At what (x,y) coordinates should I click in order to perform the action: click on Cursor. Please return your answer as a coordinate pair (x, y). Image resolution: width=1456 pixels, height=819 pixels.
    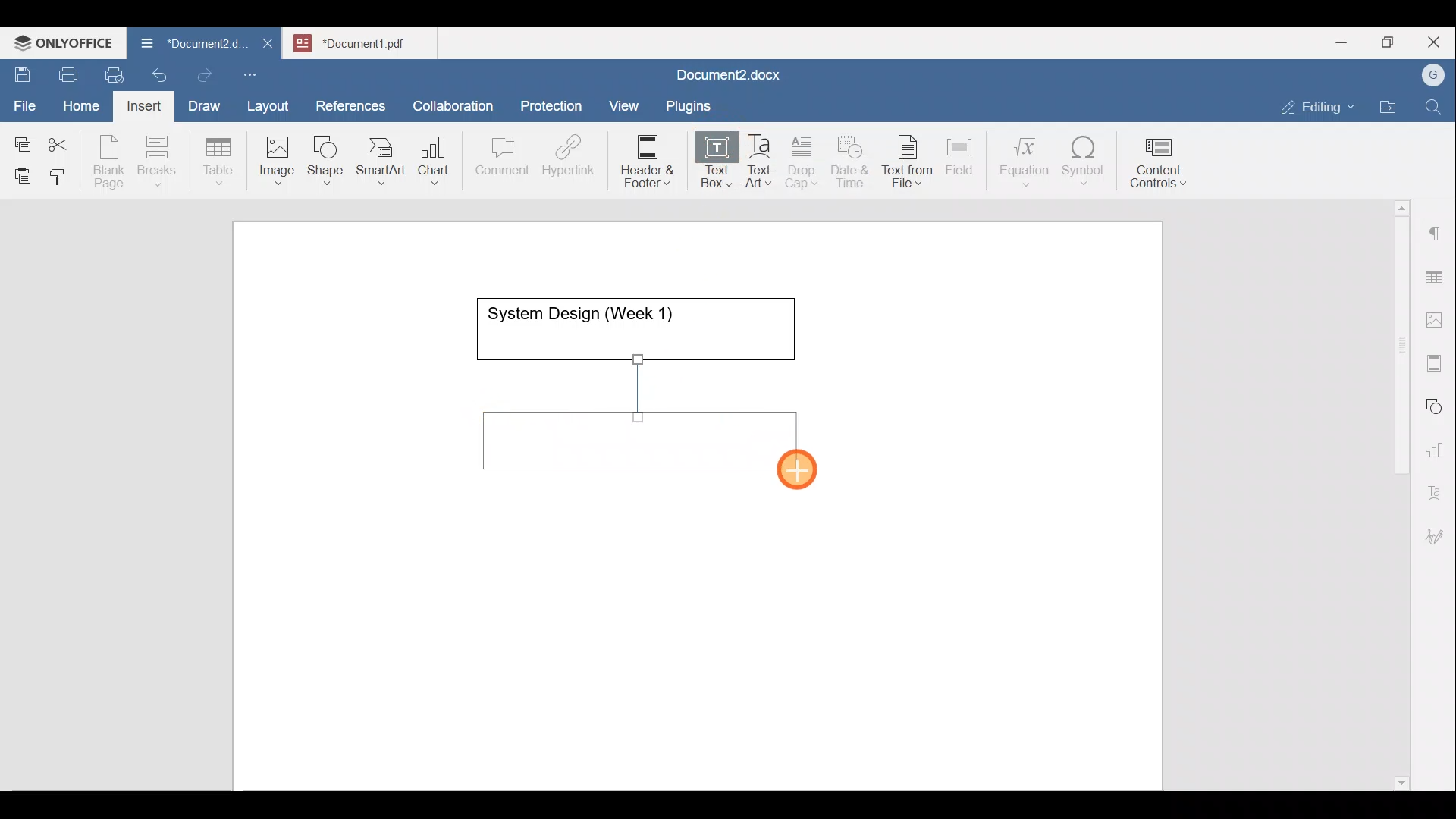
    Looking at the image, I should click on (802, 473).